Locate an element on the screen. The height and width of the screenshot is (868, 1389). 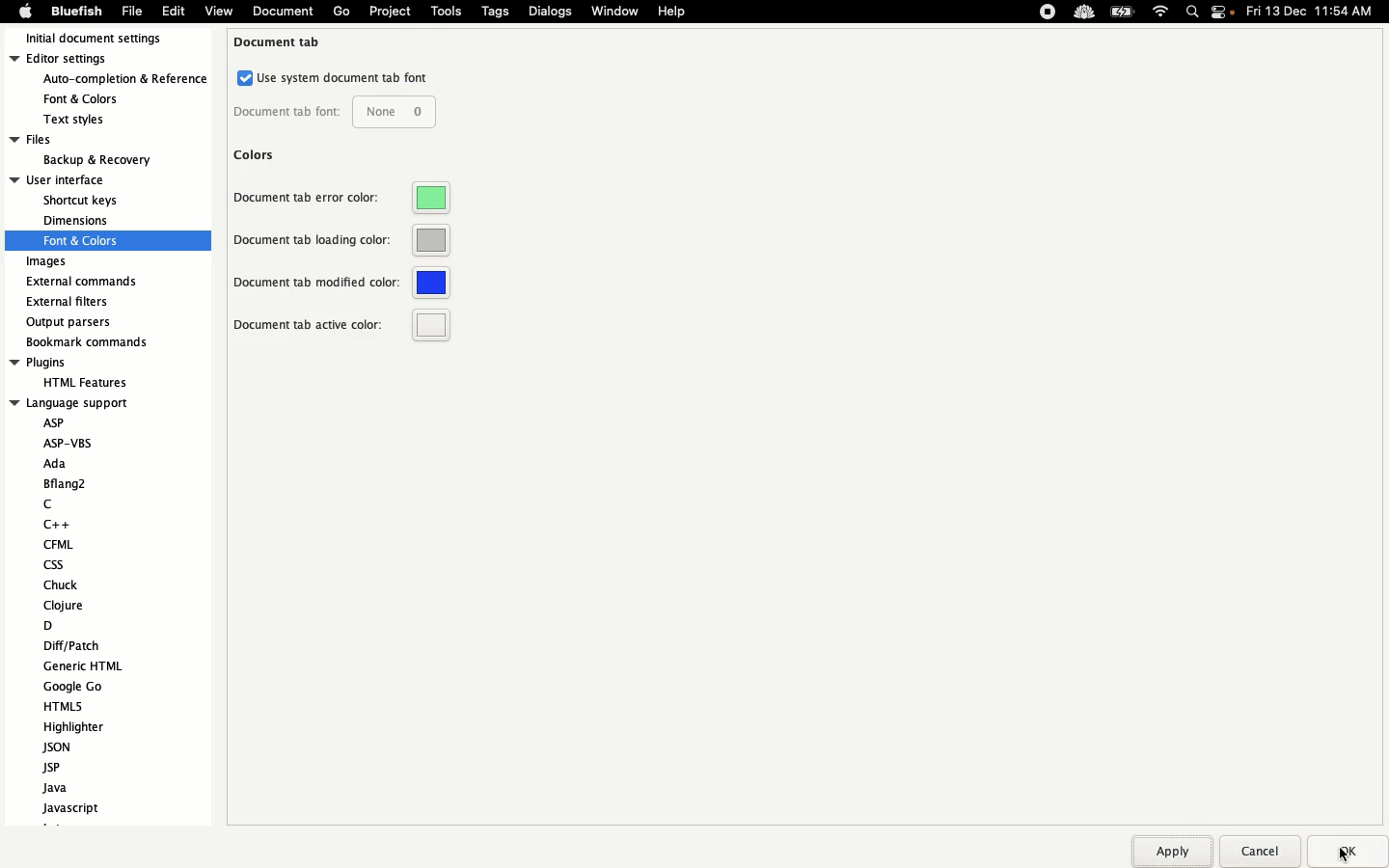
auto-completion & refrences is located at coordinates (126, 80).